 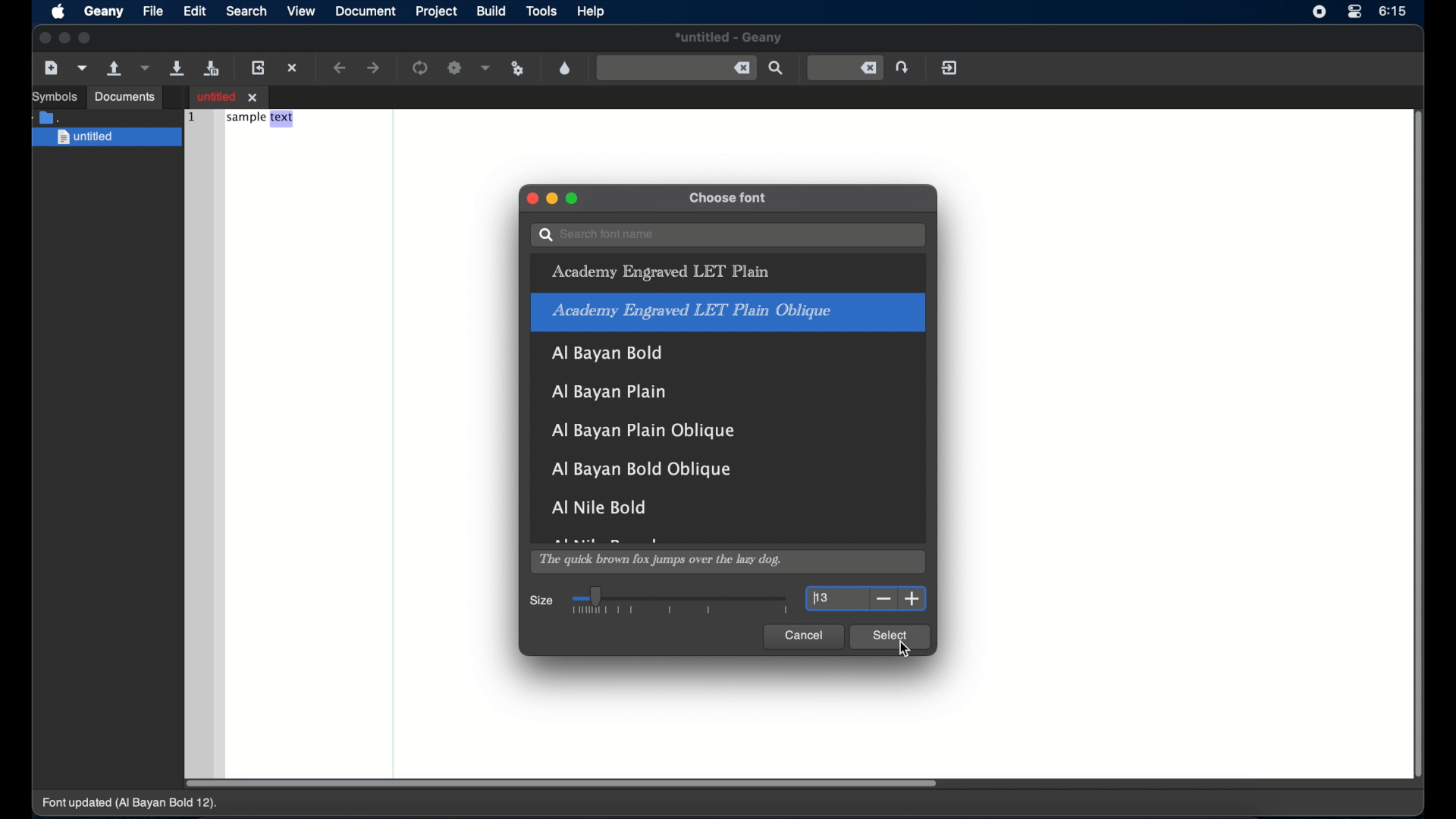 What do you see at coordinates (212, 69) in the screenshot?
I see `save all current files` at bounding box center [212, 69].